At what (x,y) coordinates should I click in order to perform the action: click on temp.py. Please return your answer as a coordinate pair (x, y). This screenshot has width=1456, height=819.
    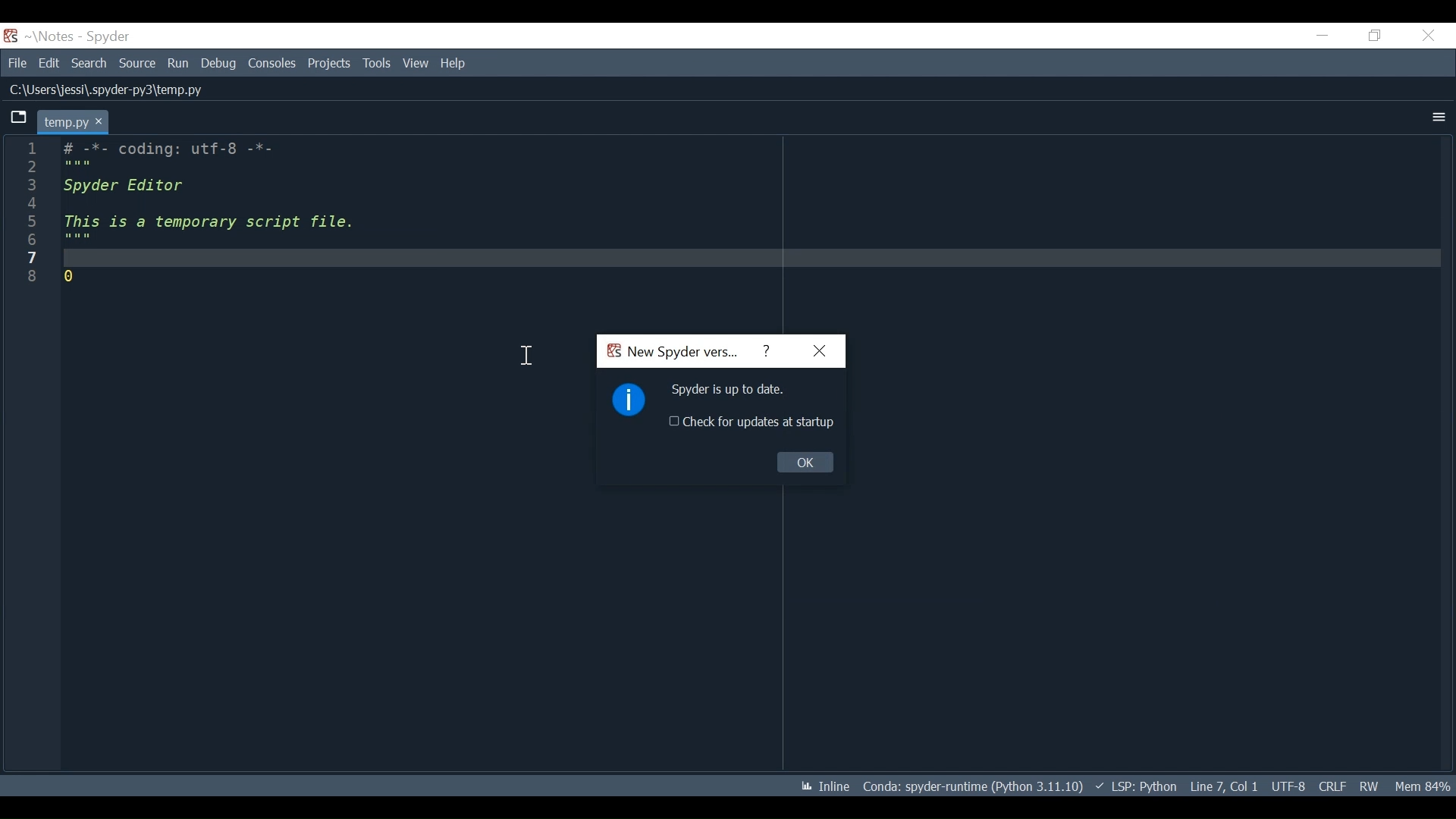
    Looking at the image, I should click on (73, 121).